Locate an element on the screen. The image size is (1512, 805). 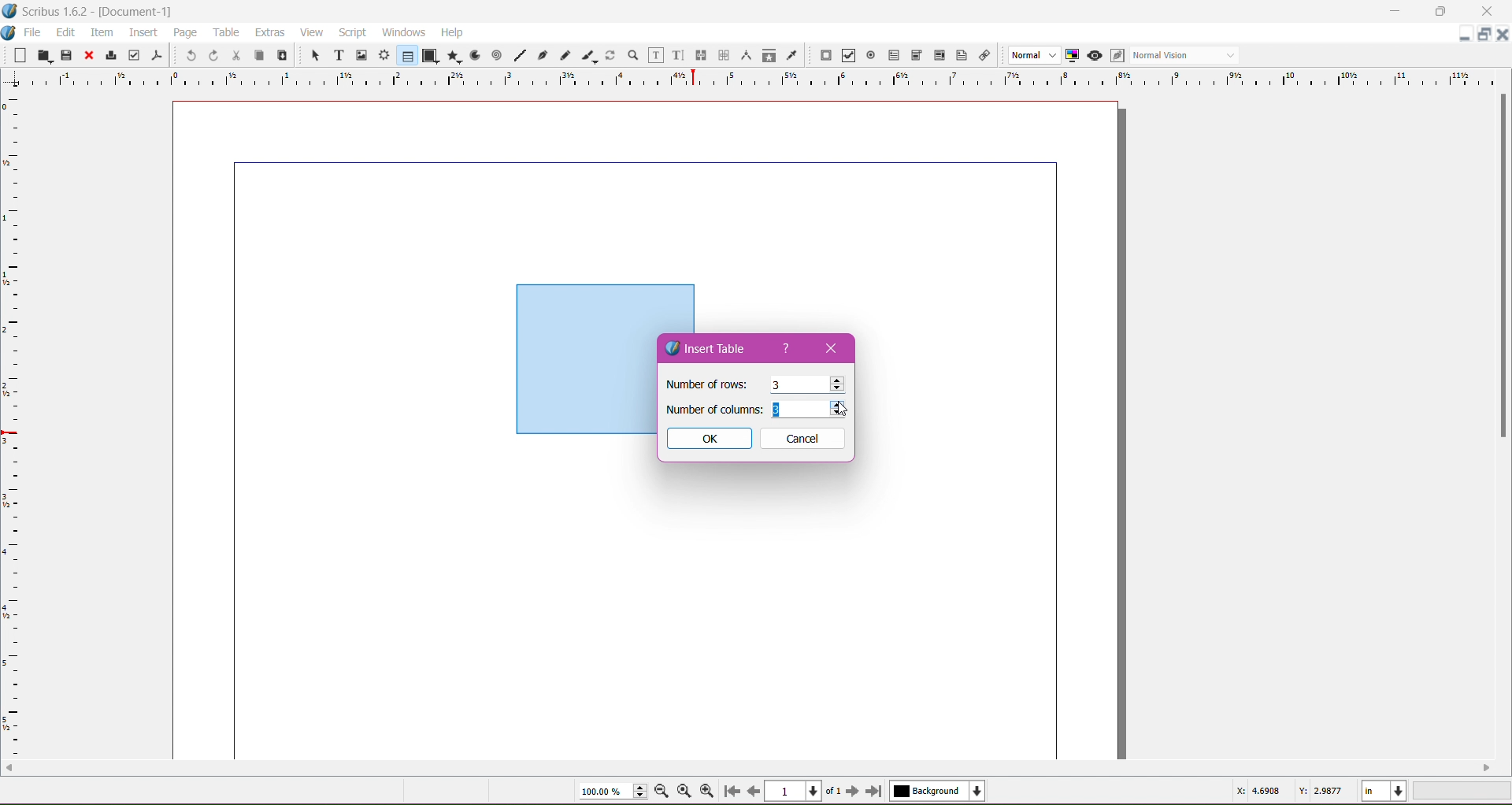
Toggle Color Management System is located at coordinates (1070, 54).